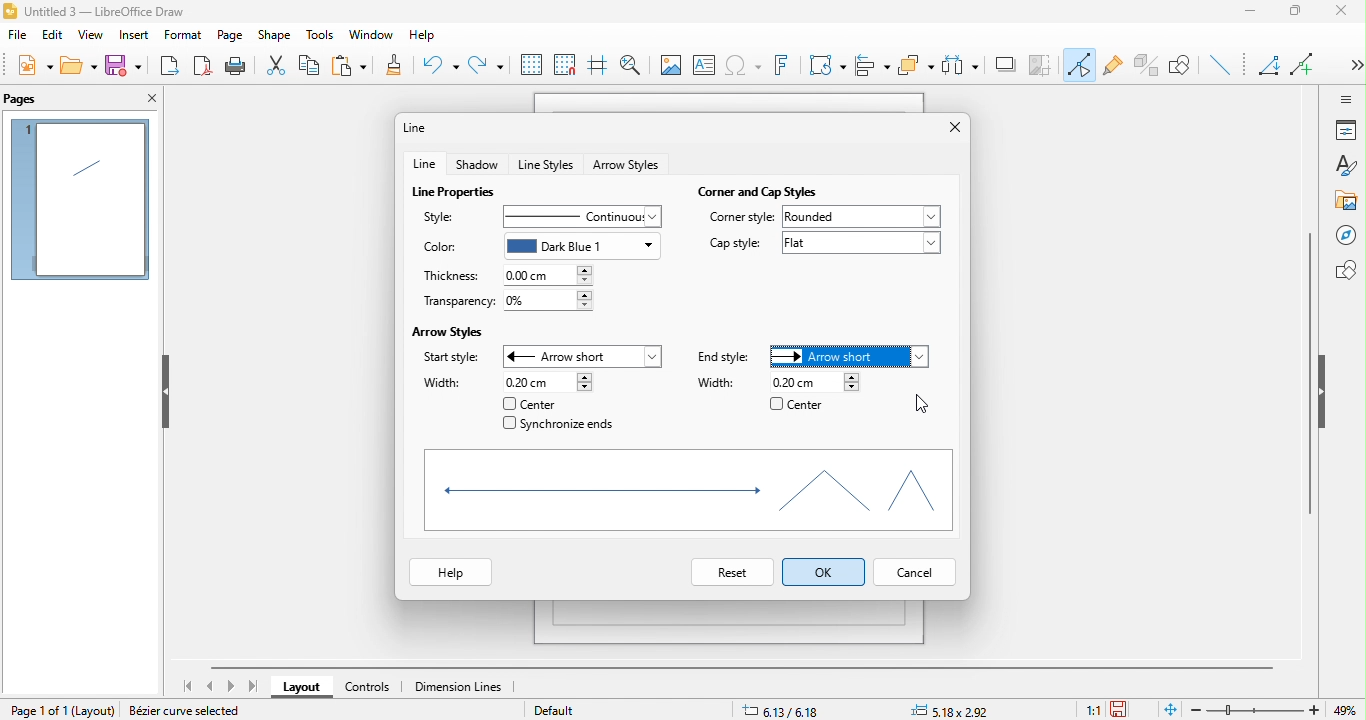 This screenshot has width=1366, height=720. What do you see at coordinates (230, 36) in the screenshot?
I see `page` at bounding box center [230, 36].